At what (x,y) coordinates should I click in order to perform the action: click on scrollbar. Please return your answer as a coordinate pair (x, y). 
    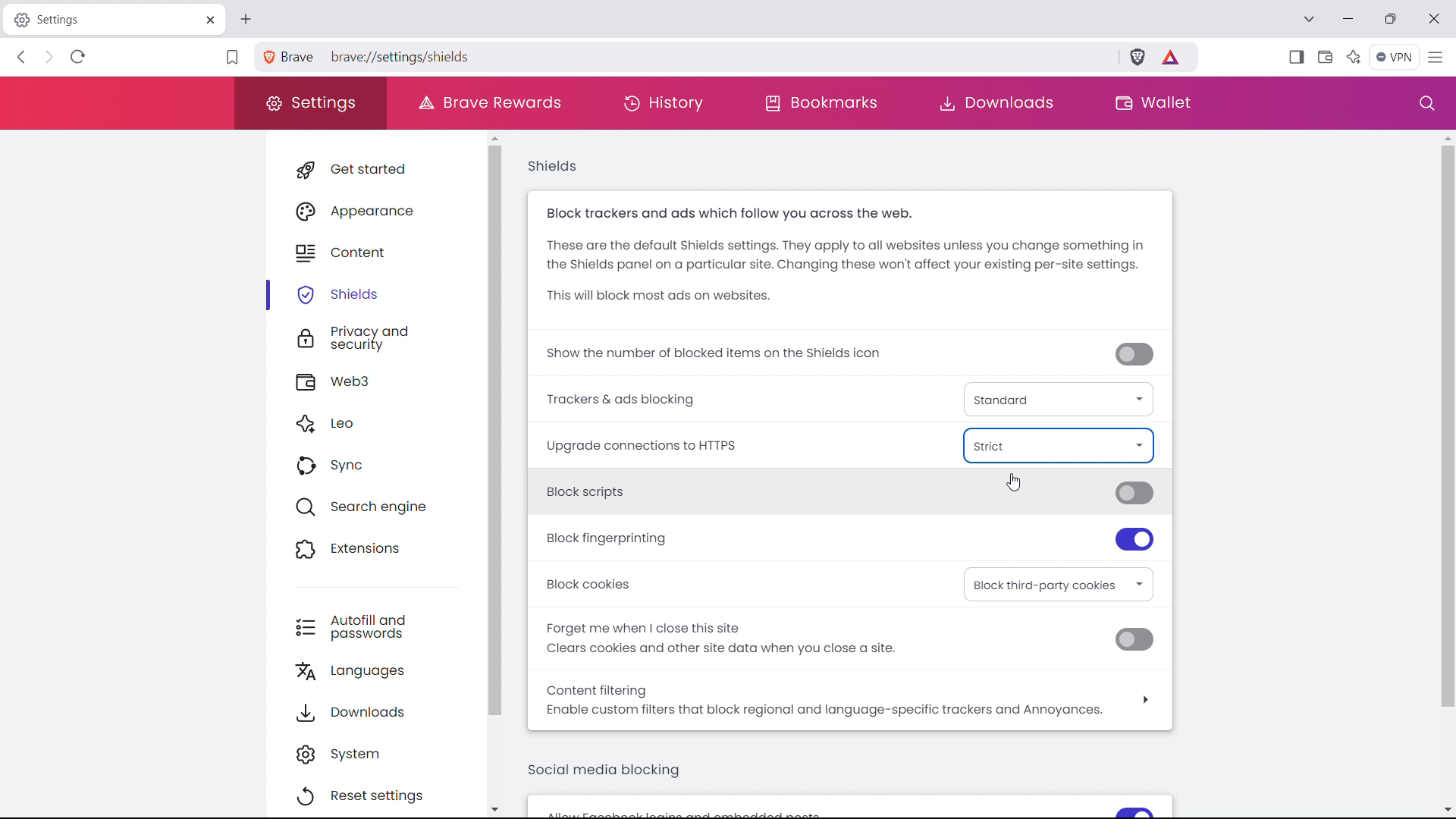
    Looking at the image, I should click on (498, 431).